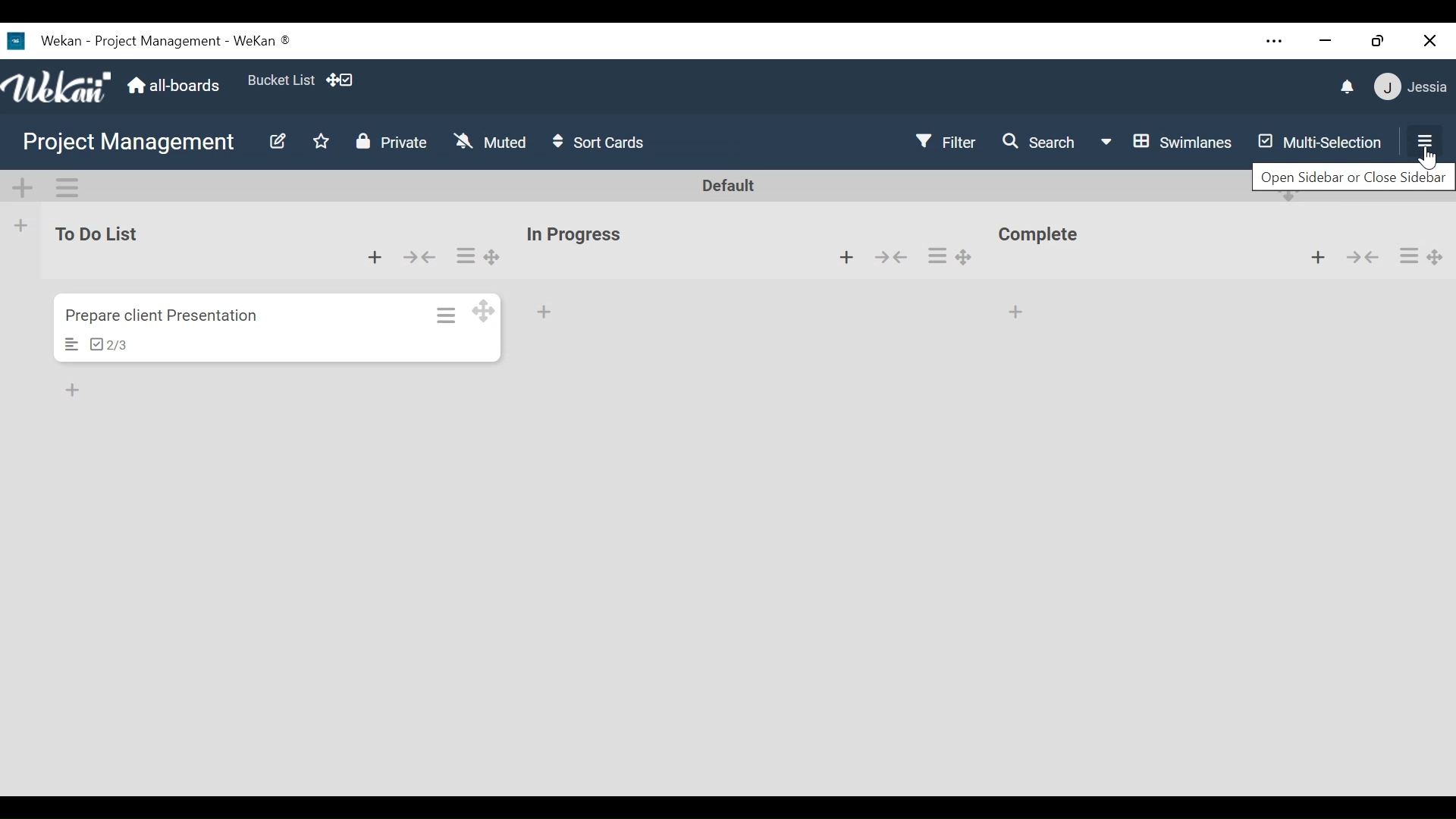 The width and height of the screenshot is (1456, 819). What do you see at coordinates (936, 256) in the screenshot?
I see `Card actions` at bounding box center [936, 256].